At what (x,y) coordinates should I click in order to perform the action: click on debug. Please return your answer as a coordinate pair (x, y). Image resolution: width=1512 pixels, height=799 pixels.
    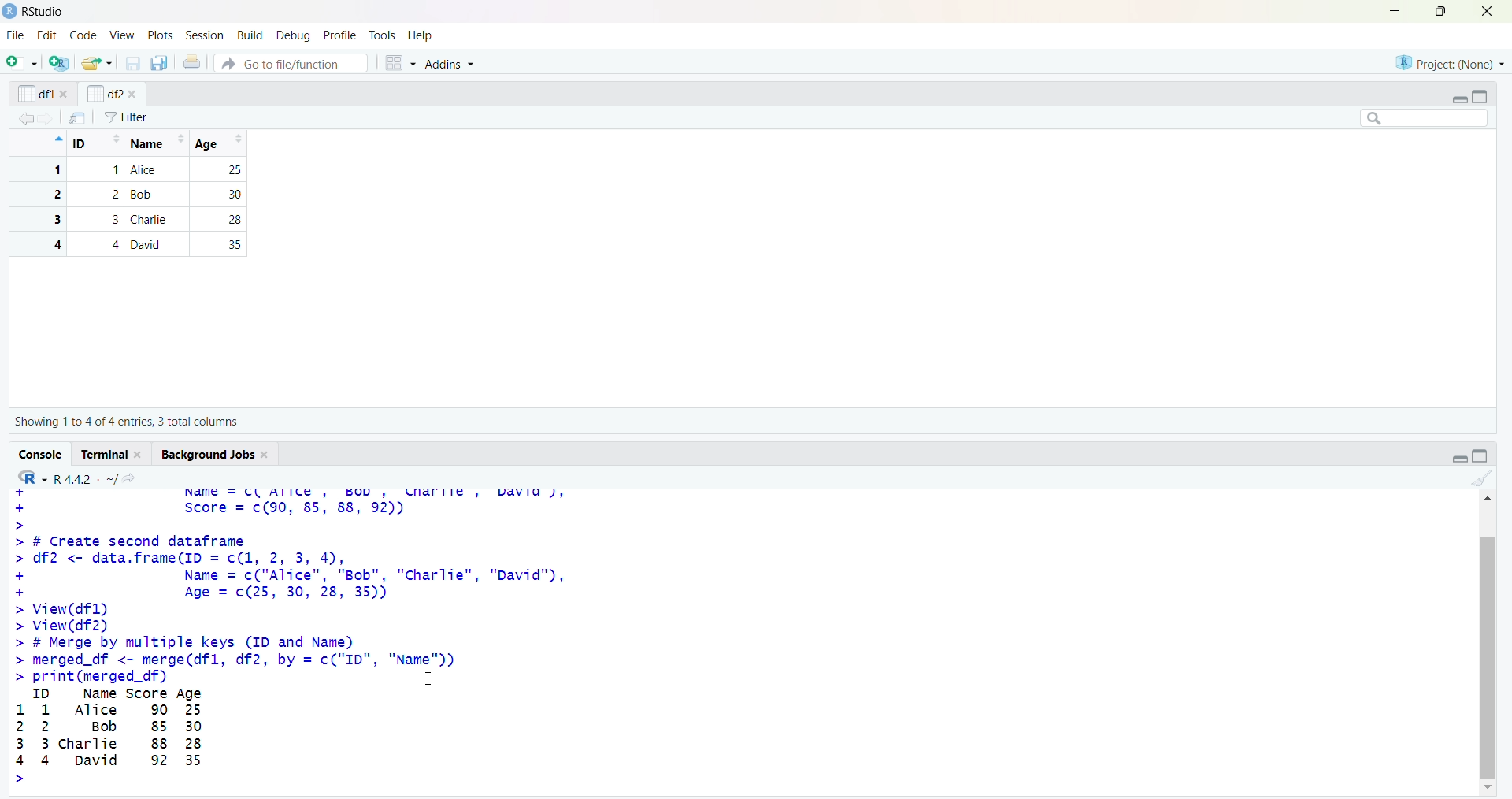
    Looking at the image, I should click on (295, 36).